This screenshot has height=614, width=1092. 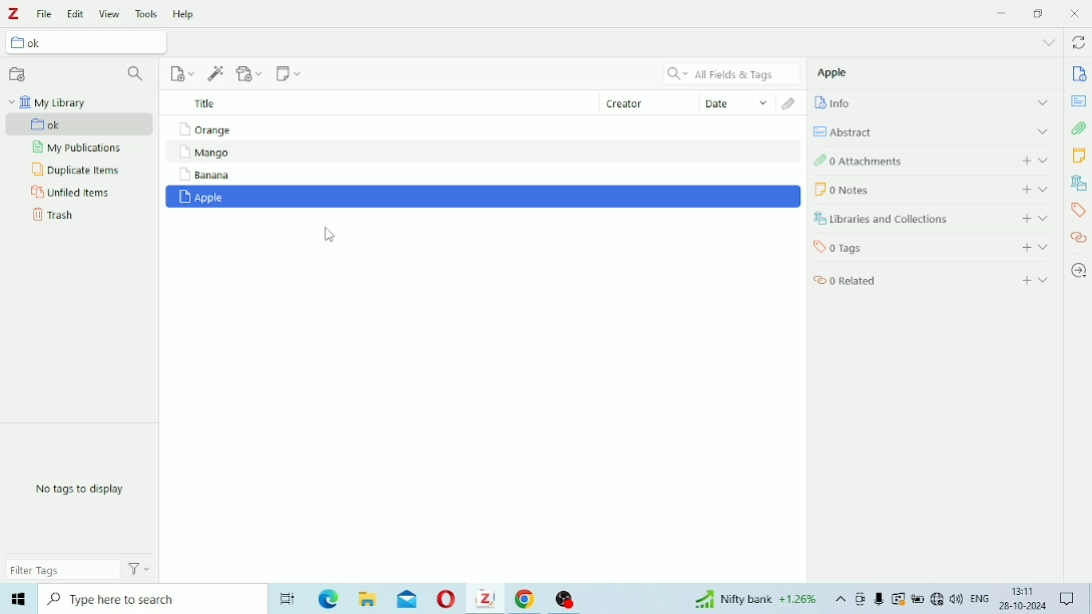 What do you see at coordinates (51, 102) in the screenshot?
I see `My Library` at bounding box center [51, 102].